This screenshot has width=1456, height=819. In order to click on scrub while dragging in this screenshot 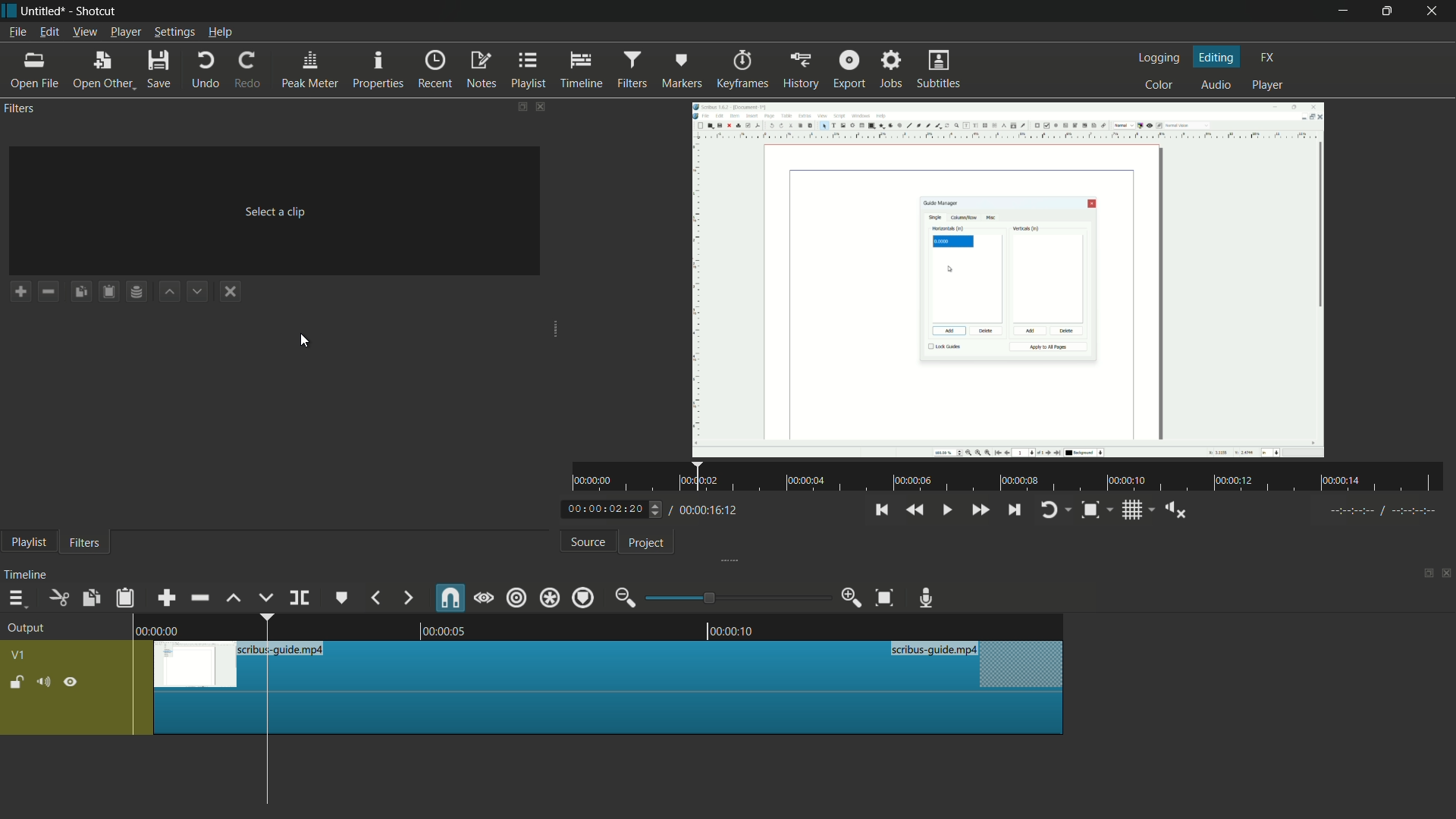, I will do `click(483, 597)`.